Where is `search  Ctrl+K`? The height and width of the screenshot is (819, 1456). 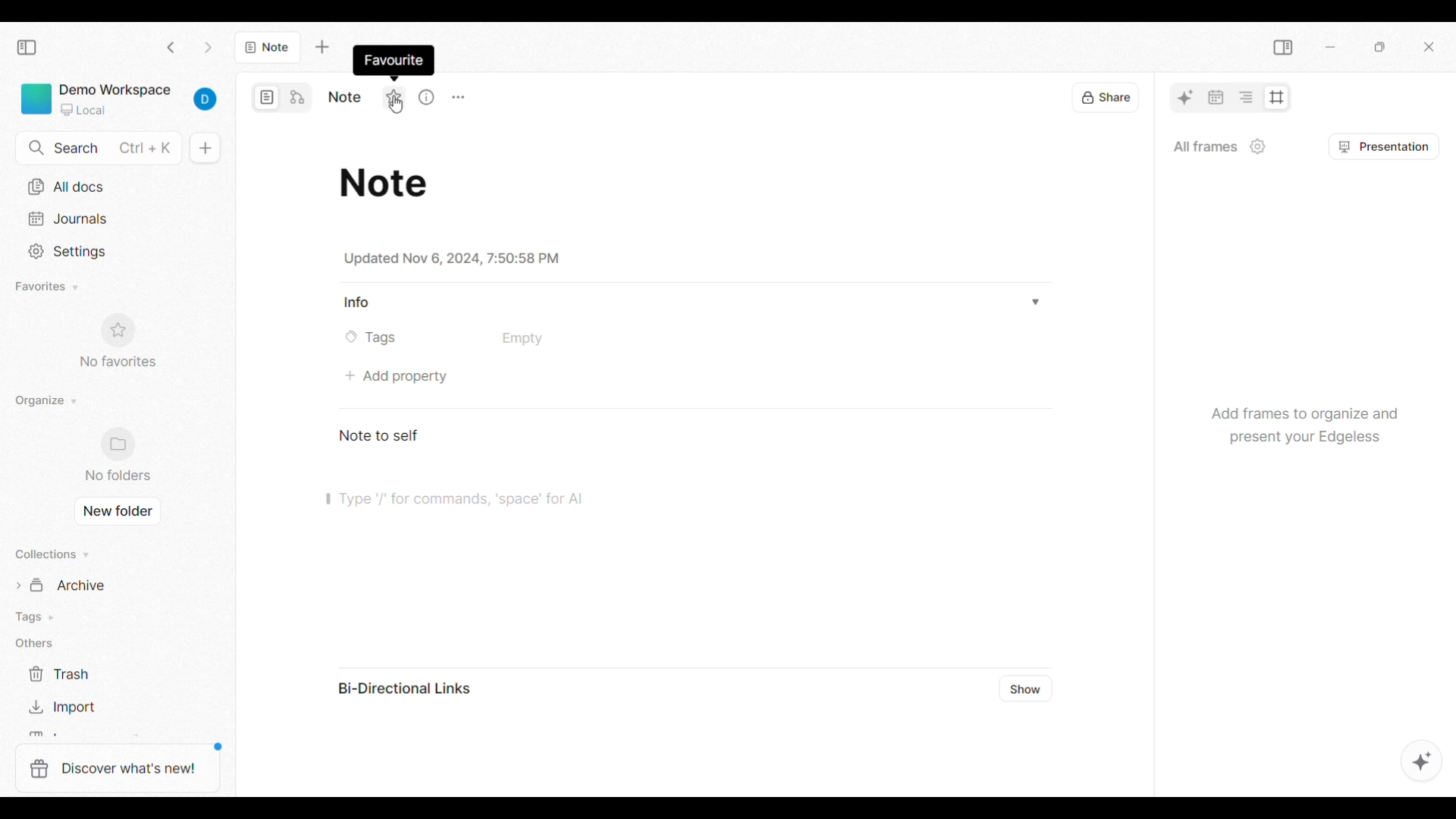
search  Ctrl+K is located at coordinates (96, 148).